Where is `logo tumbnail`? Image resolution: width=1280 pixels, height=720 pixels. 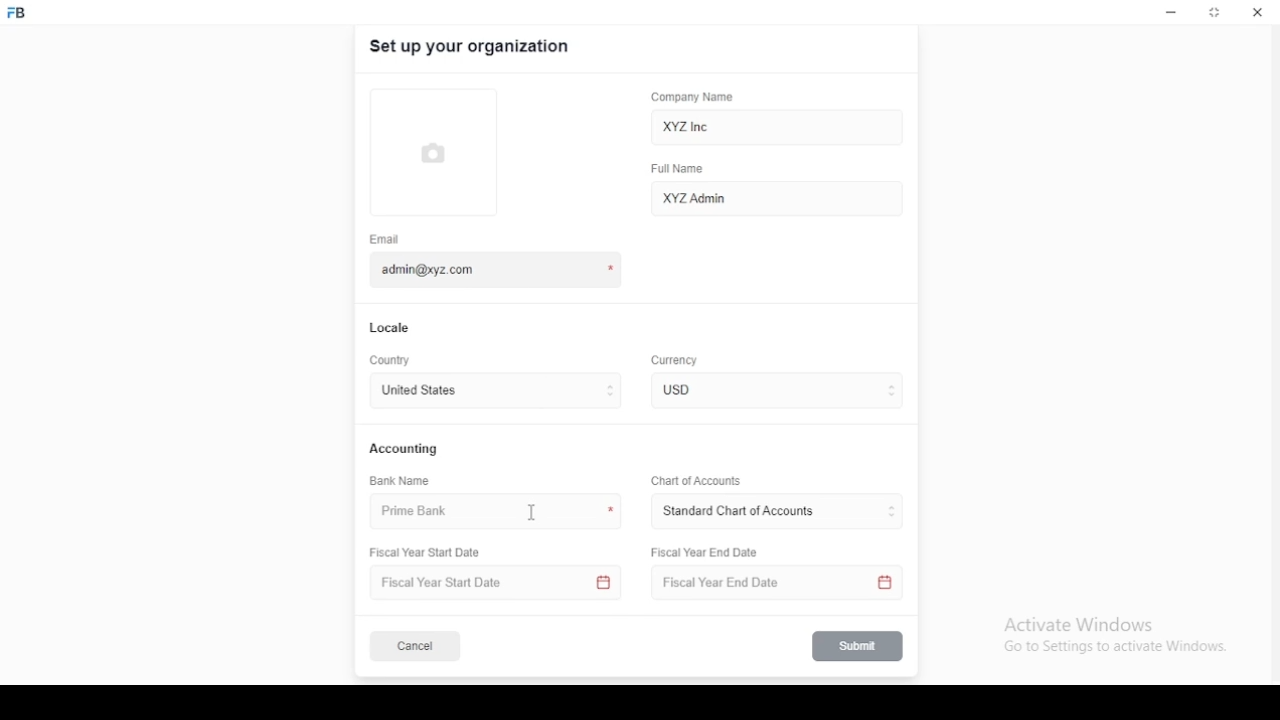 logo tumbnail is located at coordinates (436, 153).